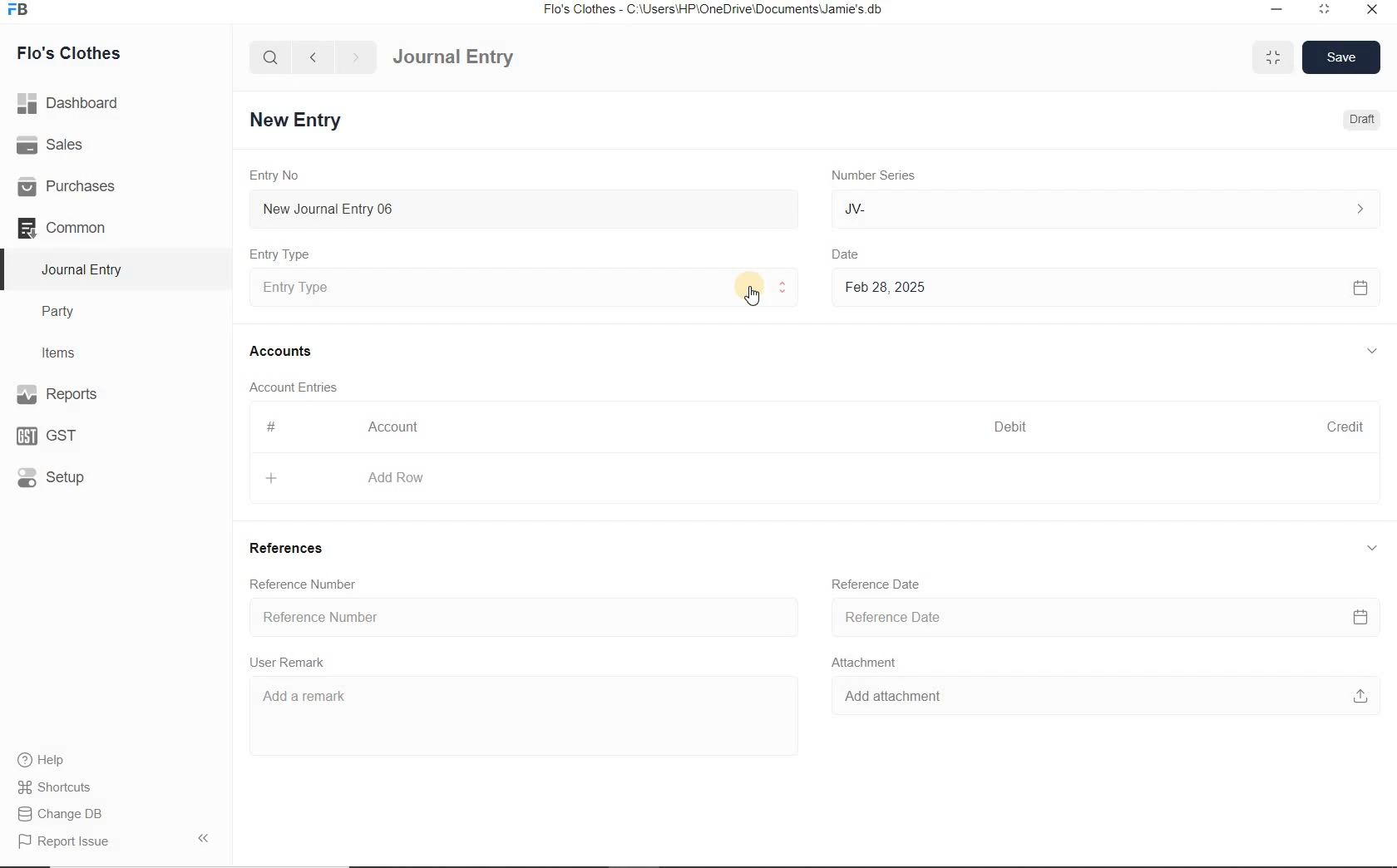  Describe the element at coordinates (523, 617) in the screenshot. I see `Reference Number` at that location.